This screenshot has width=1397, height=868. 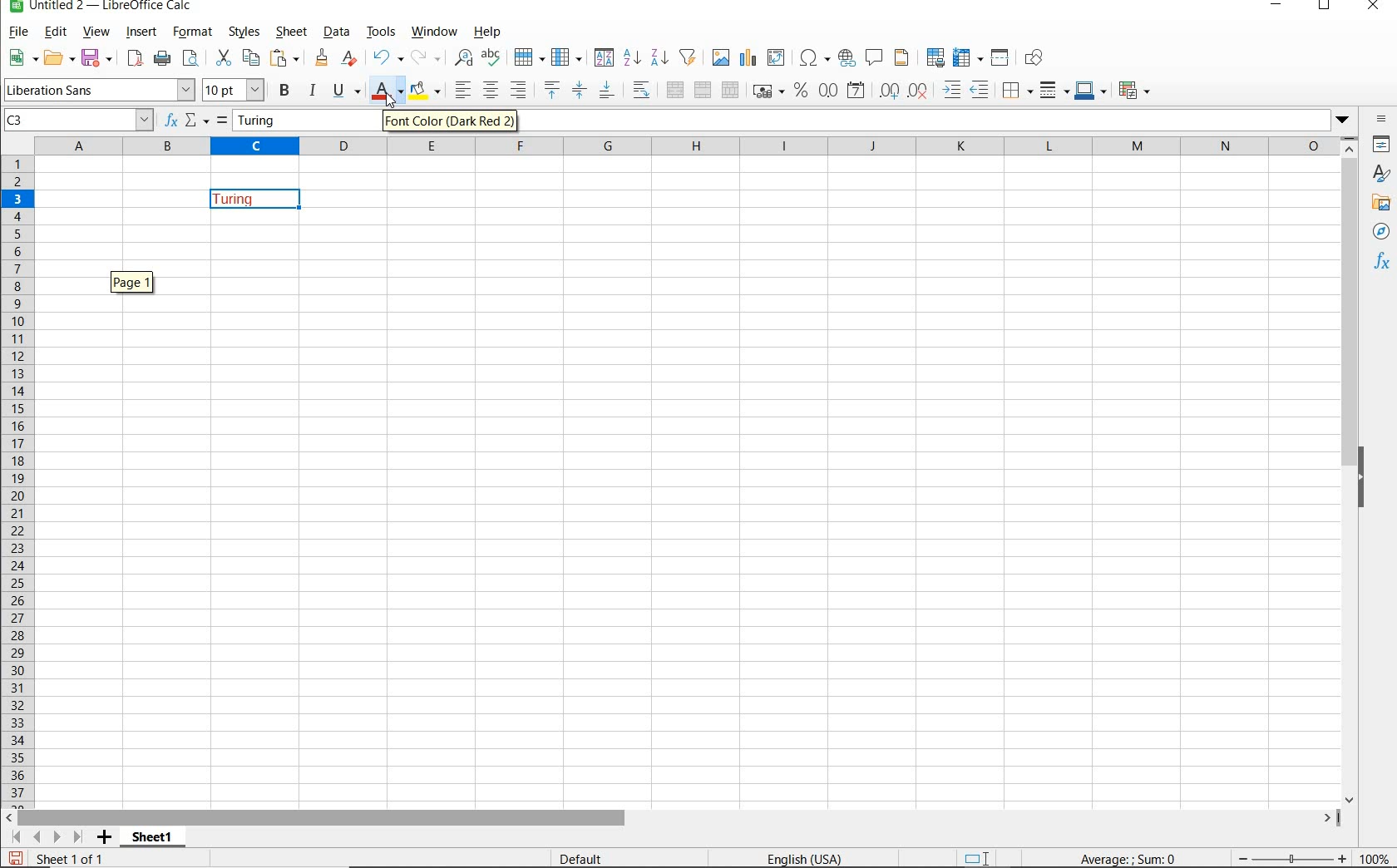 What do you see at coordinates (57, 57) in the screenshot?
I see `OPEN` at bounding box center [57, 57].